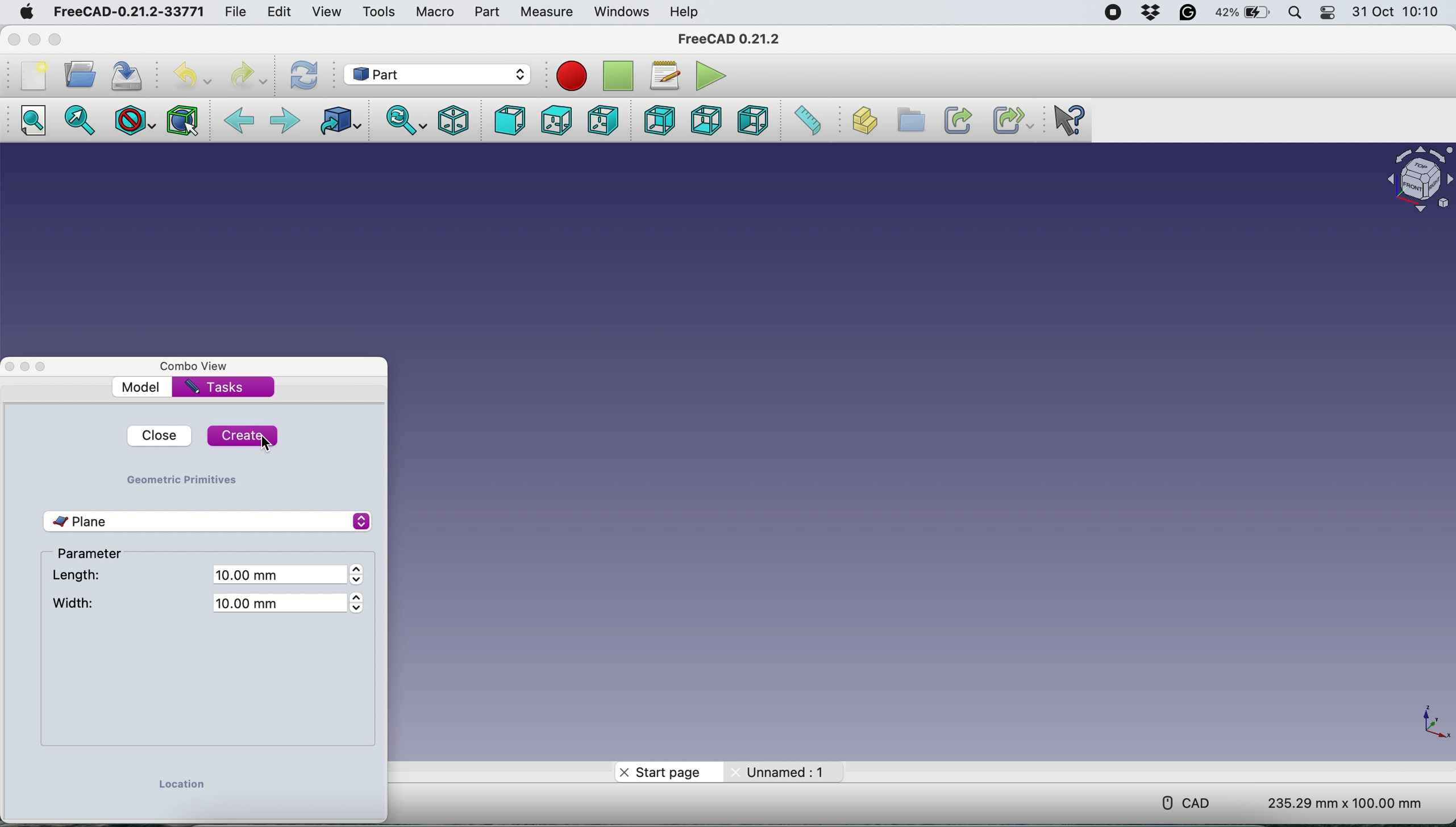 The width and height of the screenshot is (1456, 827). Describe the element at coordinates (75, 604) in the screenshot. I see `width` at that location.